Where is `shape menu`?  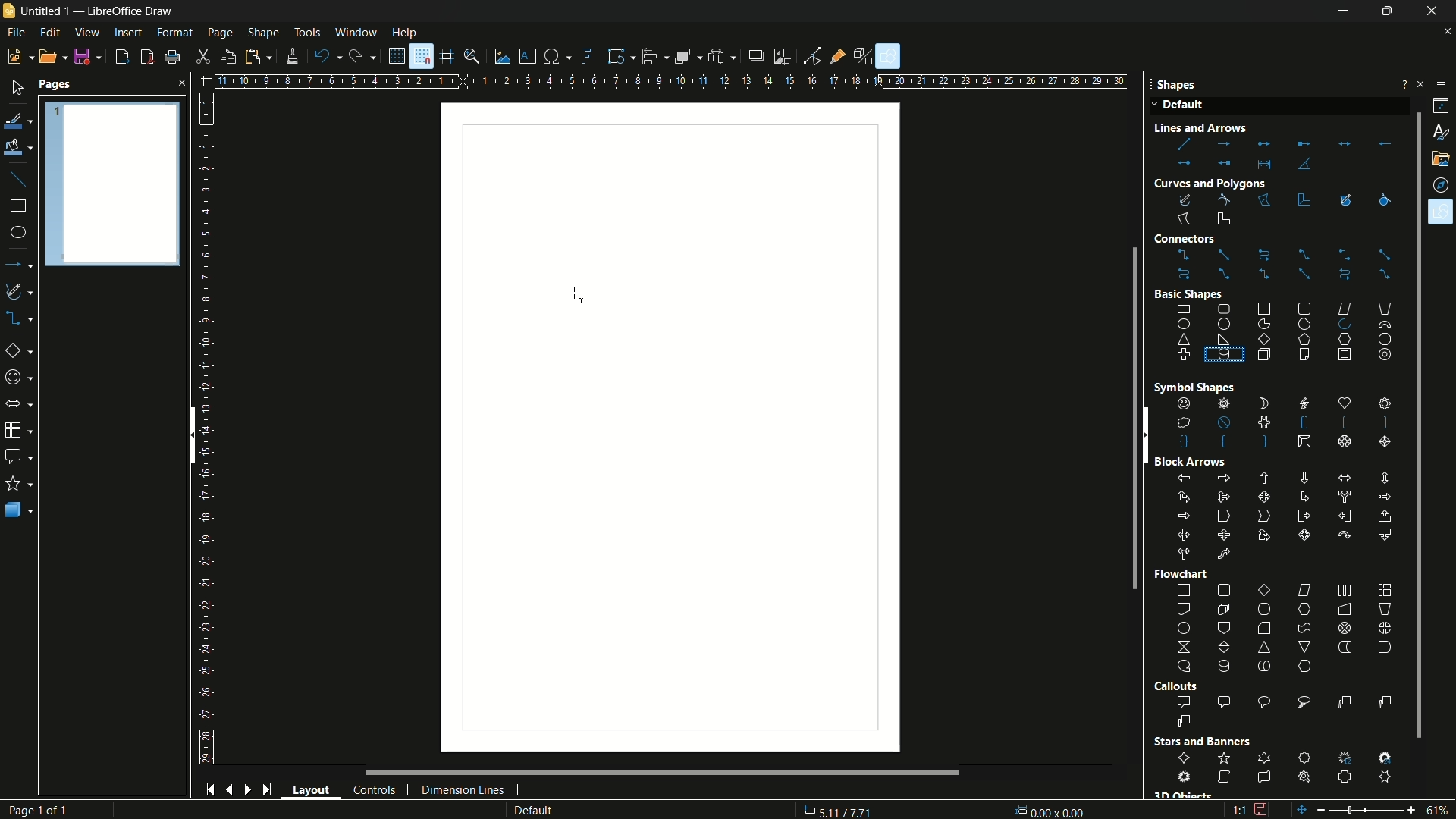
shape menu is located at coordinates (265, 33).